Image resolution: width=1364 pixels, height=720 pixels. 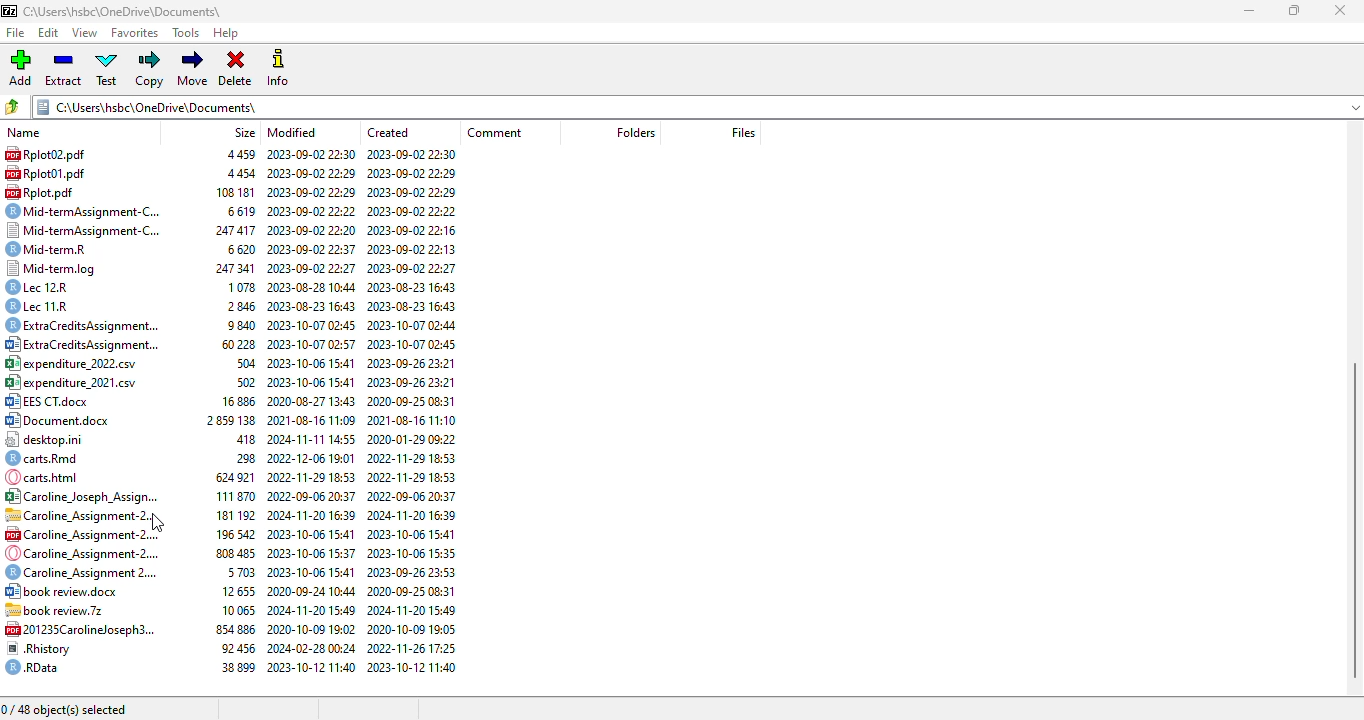 I want to click on  2023-09-02 22:30, so click(x=413, y=154).